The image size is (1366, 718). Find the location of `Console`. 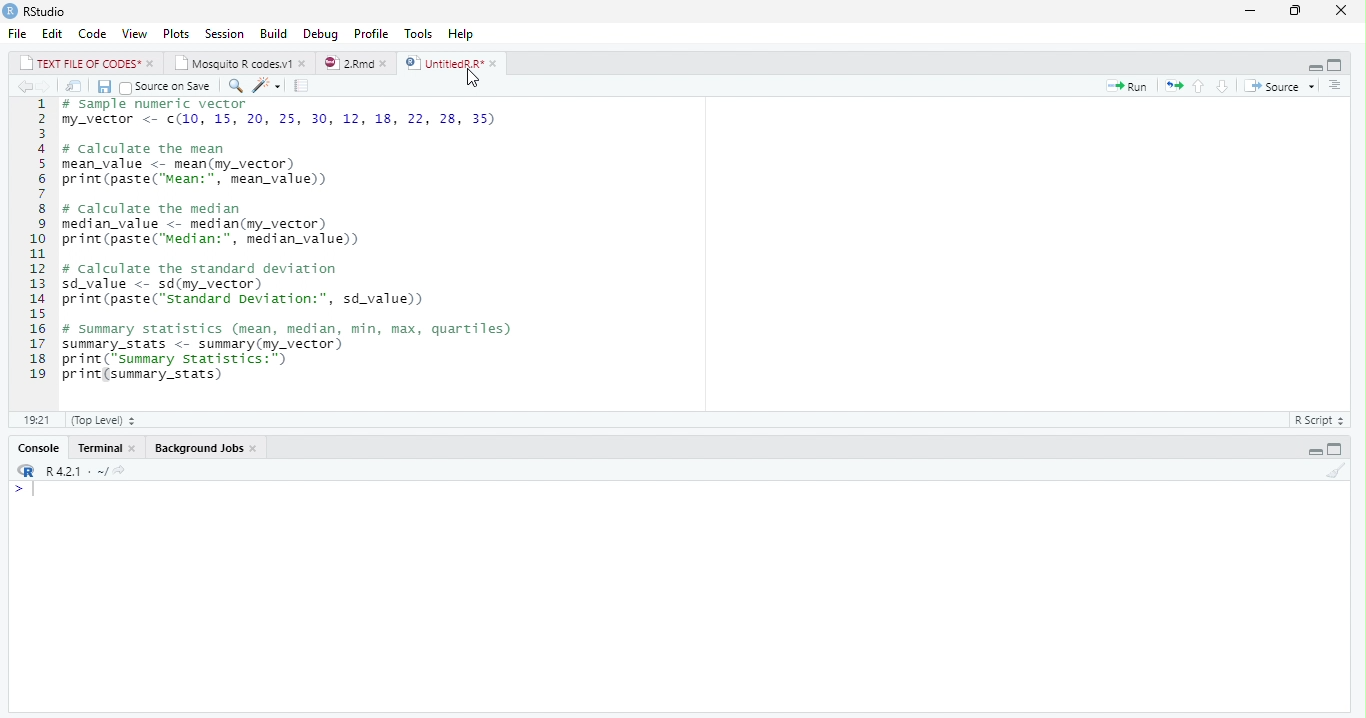

Console is located at coordinates (41, 449).